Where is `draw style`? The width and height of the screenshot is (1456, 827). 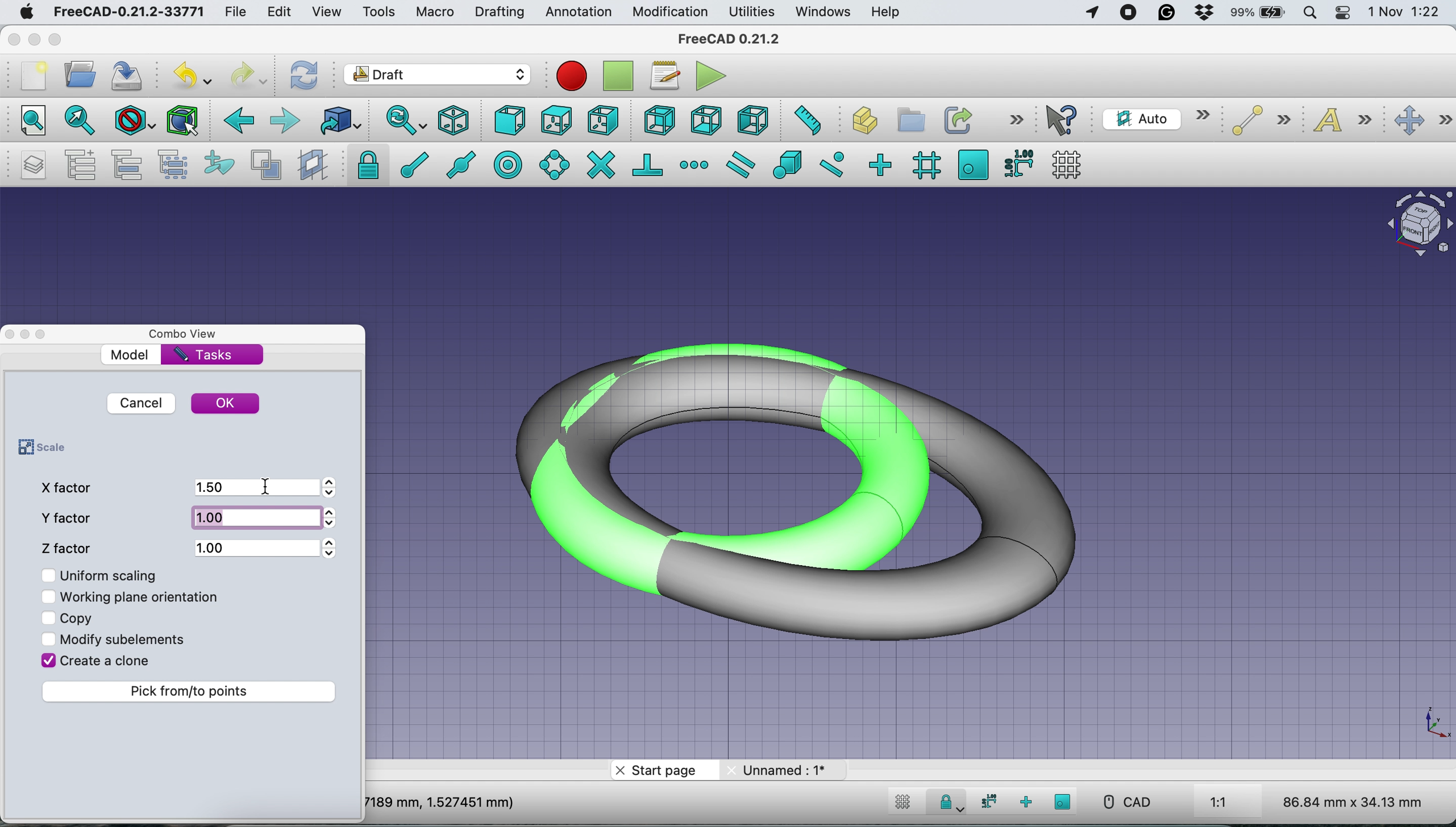
draw style is located at coordinates (132, 123).